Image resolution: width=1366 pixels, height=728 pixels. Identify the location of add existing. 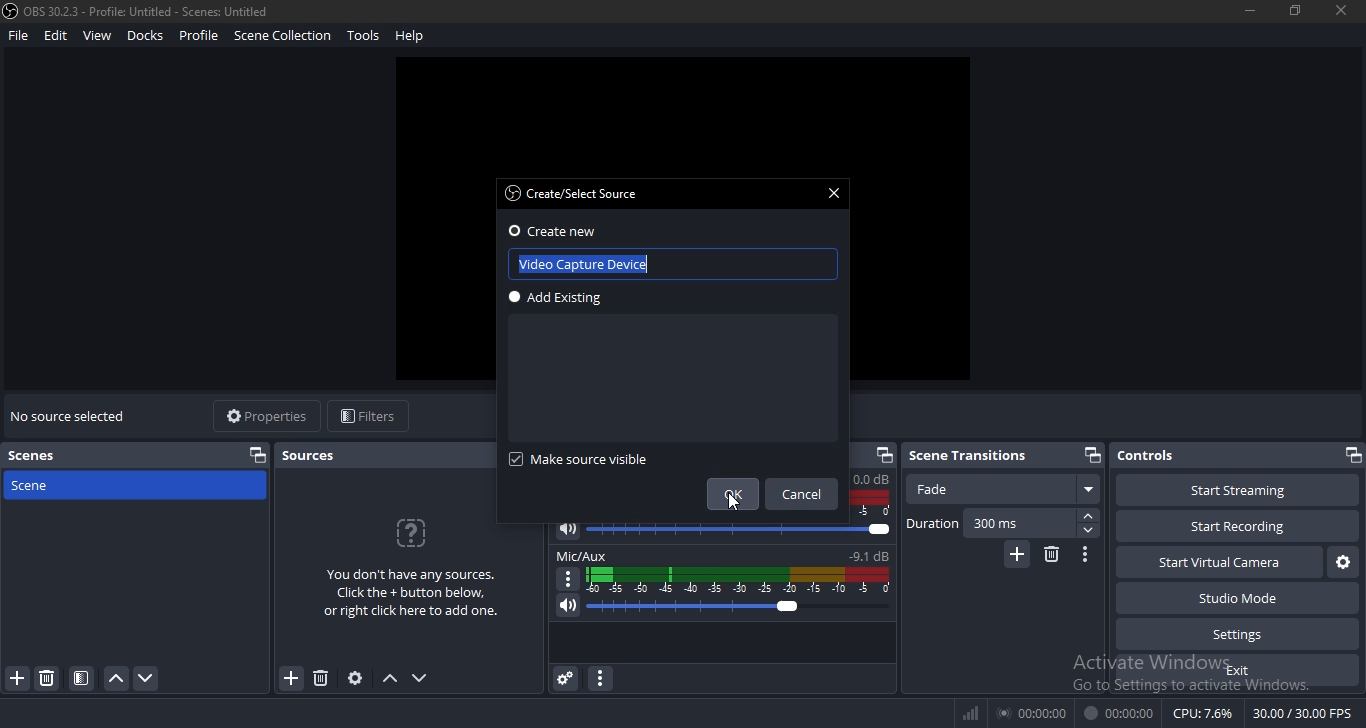
(565, 301).